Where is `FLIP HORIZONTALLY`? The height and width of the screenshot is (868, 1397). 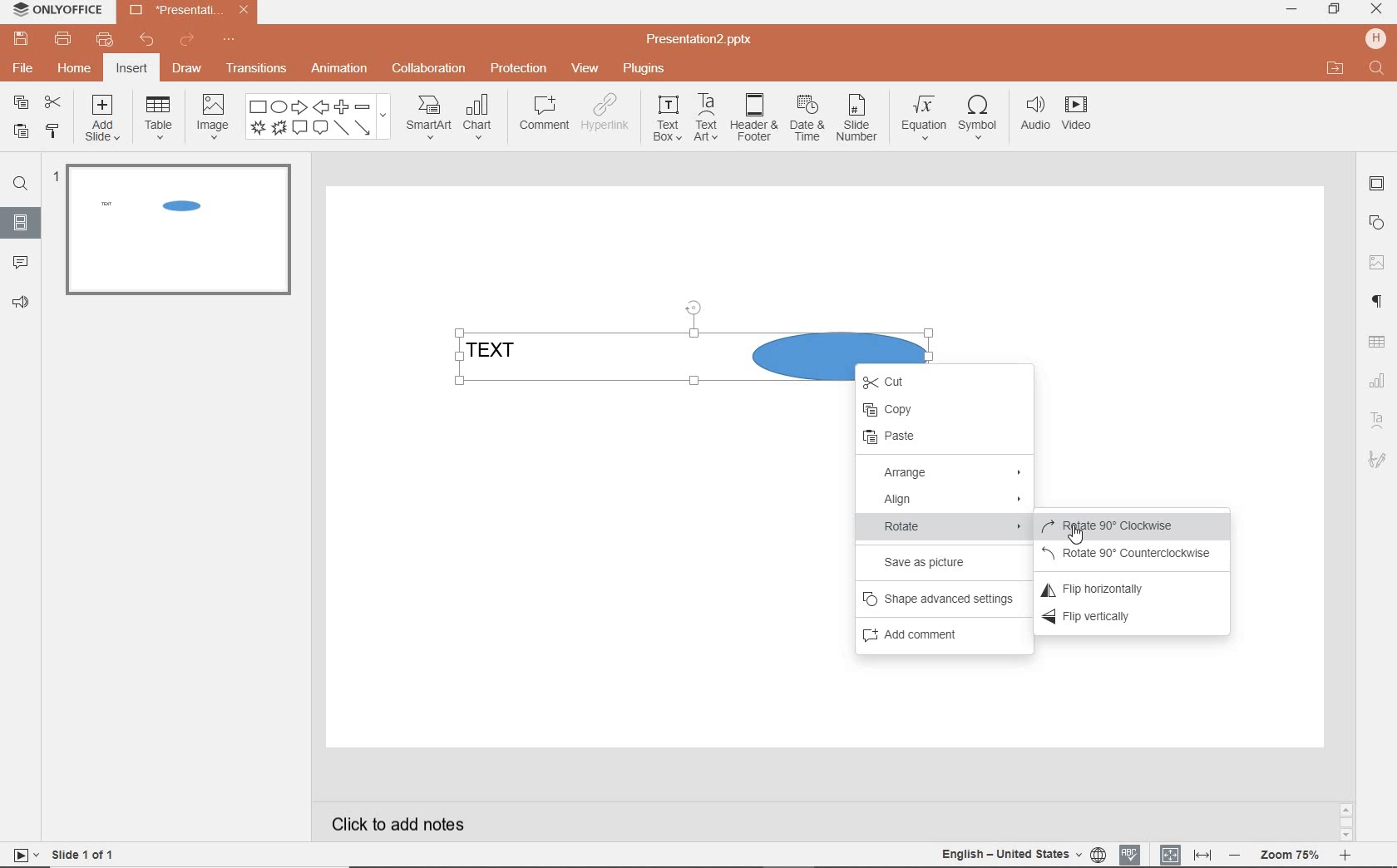
FLIP HORIZONTALLY is located at coordinates (1108, 586).